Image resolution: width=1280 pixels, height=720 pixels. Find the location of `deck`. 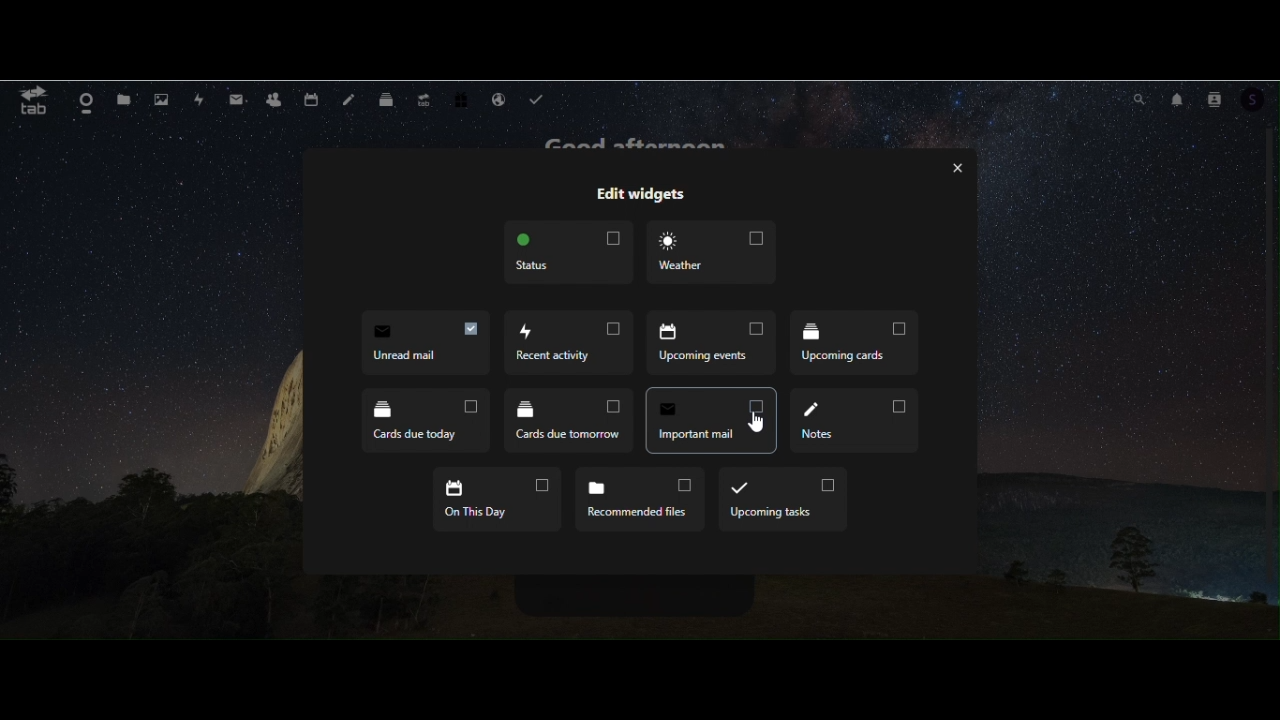

deck is located at coordinates (387, 97).